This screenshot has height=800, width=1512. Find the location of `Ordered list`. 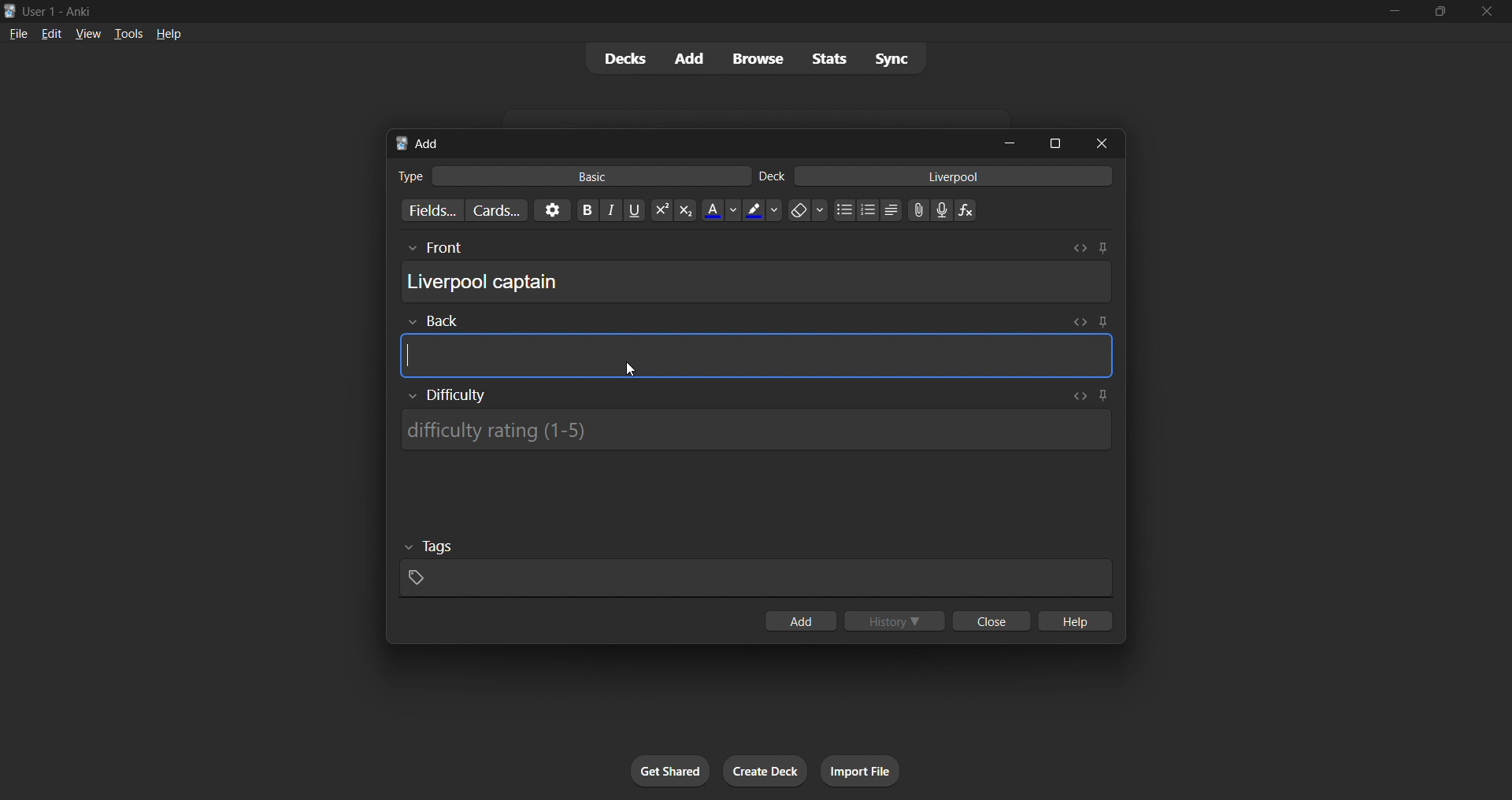

Ordered list is located at coordinates (867, 209).